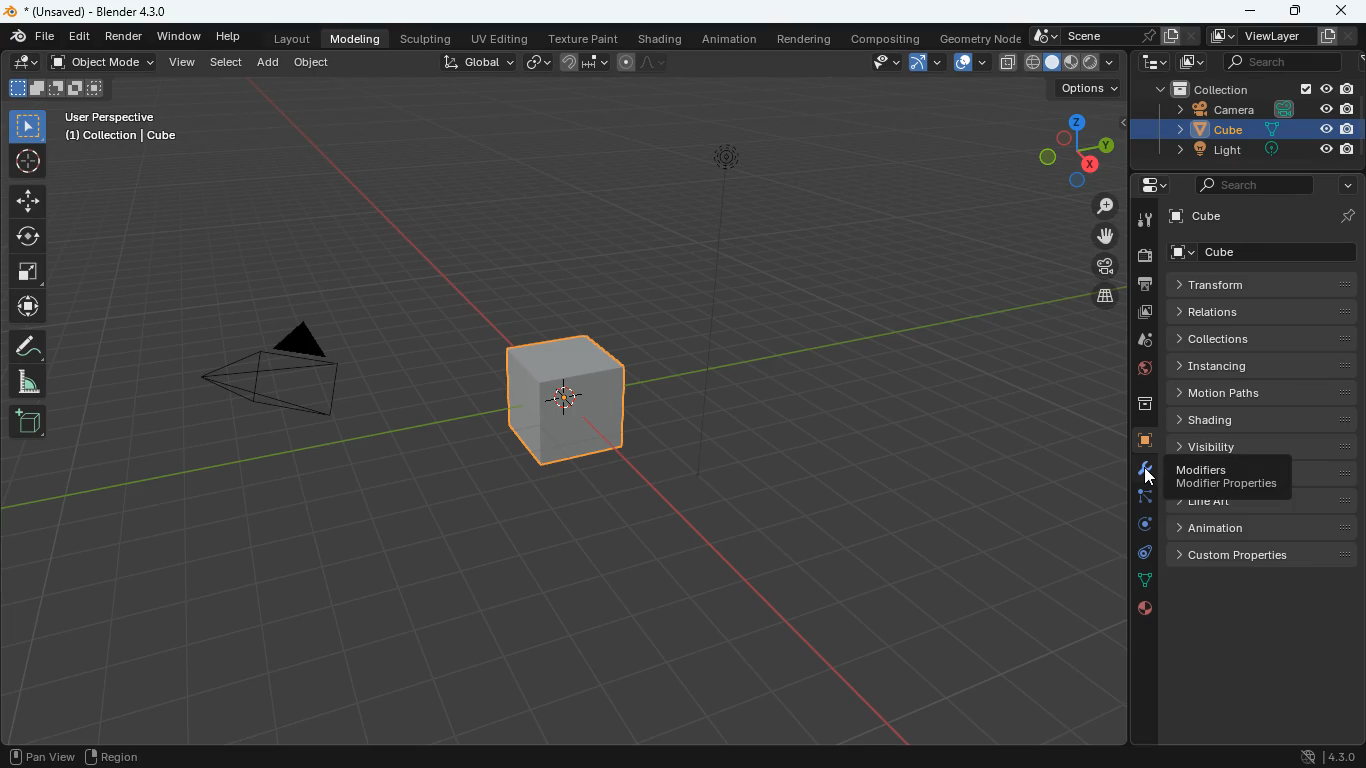  Describe the element at coordinates (126, 39) in the screenshot. I see `render` at that location.